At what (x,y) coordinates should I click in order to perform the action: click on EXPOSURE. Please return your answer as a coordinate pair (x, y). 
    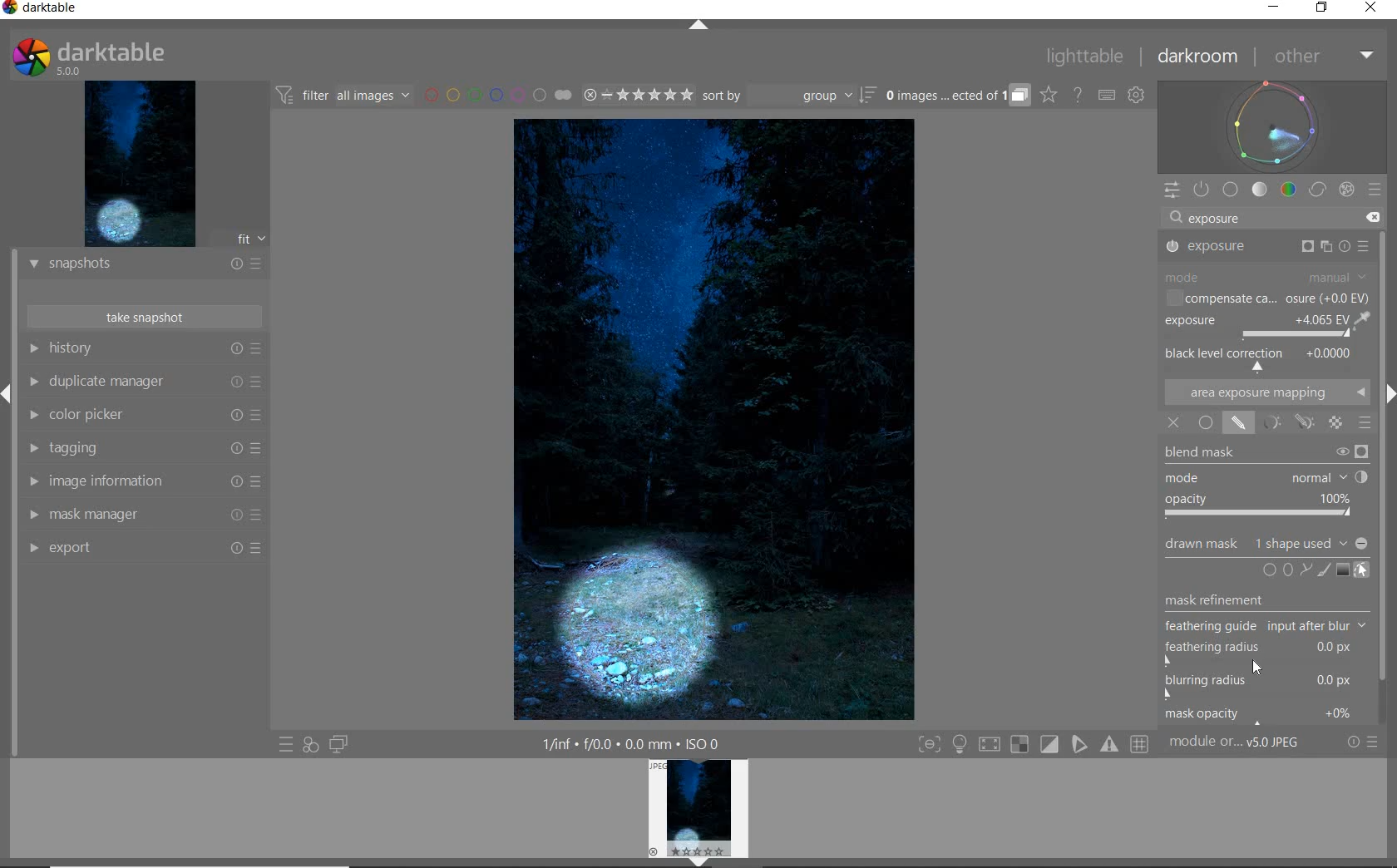
    Looking at the image, I should click on (1270, 246).